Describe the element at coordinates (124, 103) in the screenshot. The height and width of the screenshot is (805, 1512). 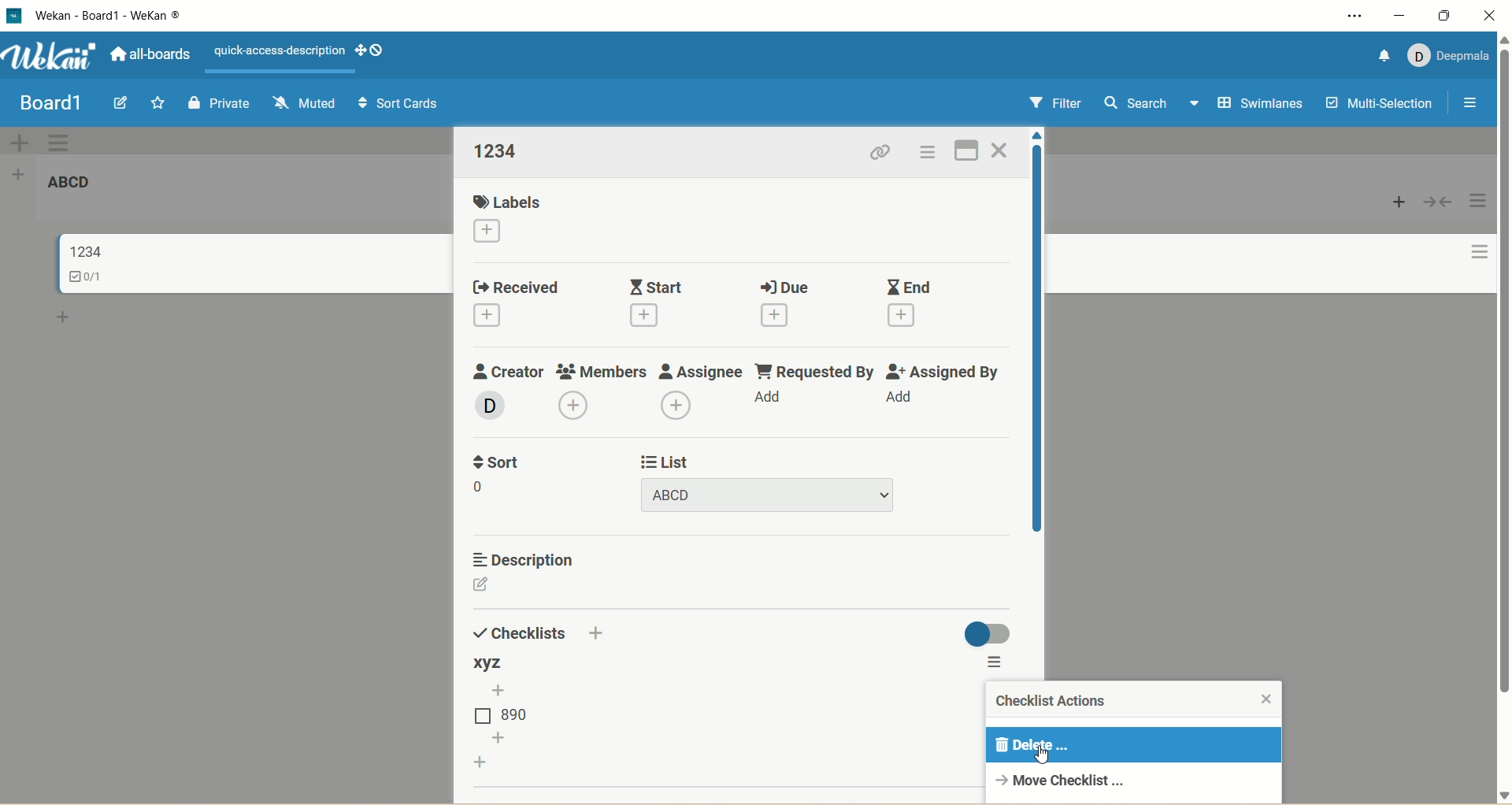
I see `edit` at that location.